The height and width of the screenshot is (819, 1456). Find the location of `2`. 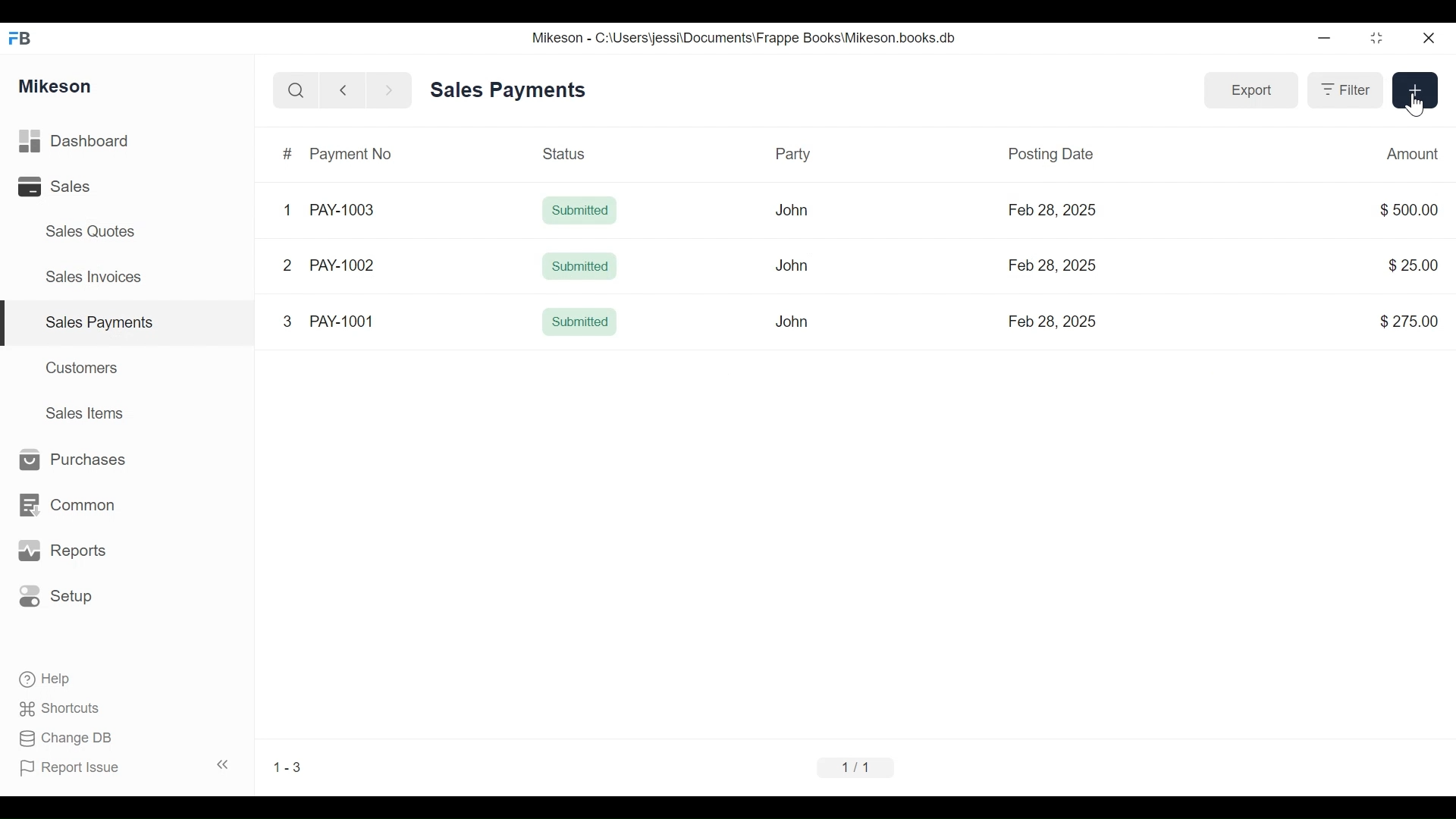

2 is located at coordinates (287, 265).